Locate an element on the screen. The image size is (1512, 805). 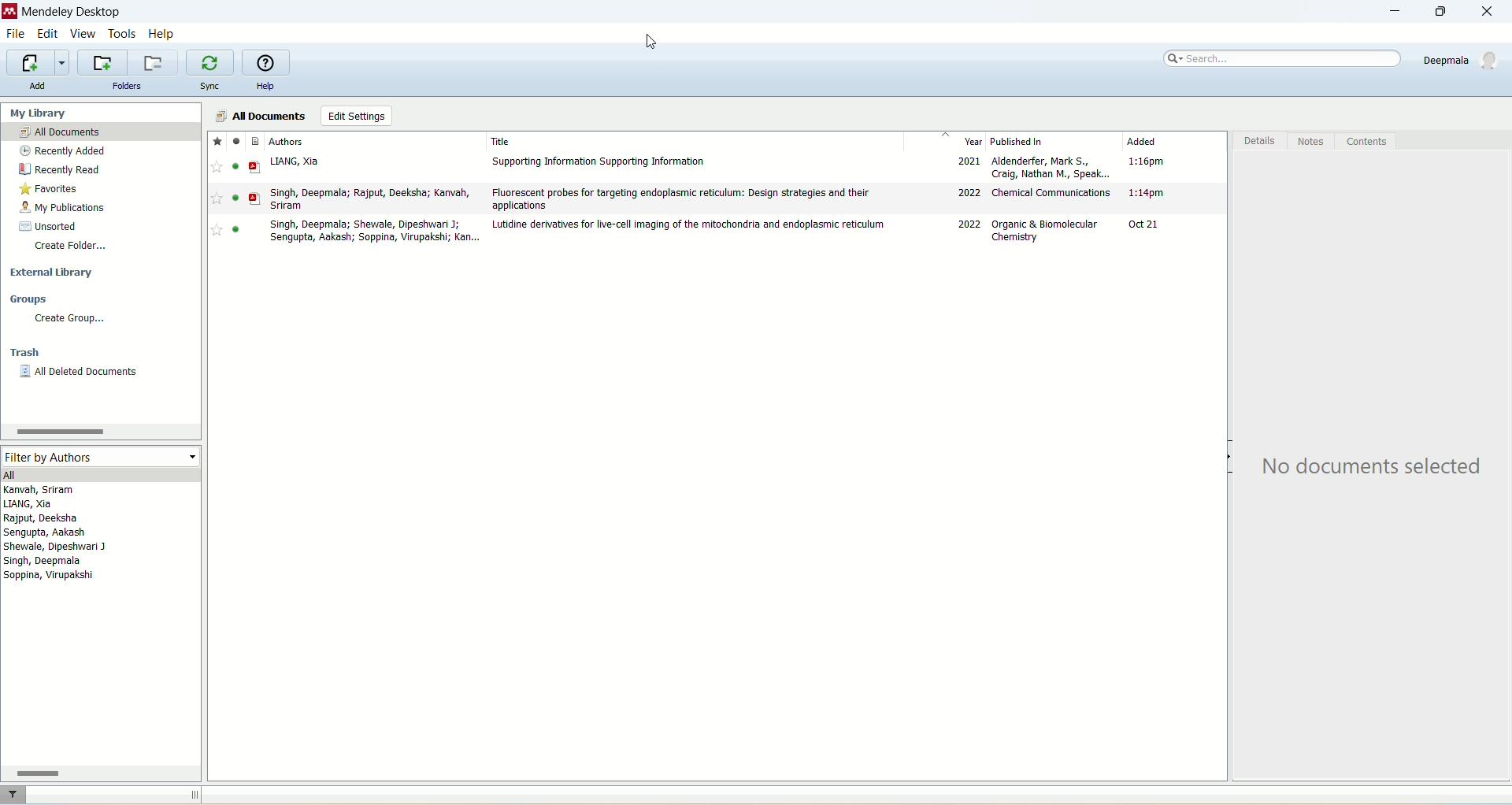
Favourites is located at coordinates (215, 142).